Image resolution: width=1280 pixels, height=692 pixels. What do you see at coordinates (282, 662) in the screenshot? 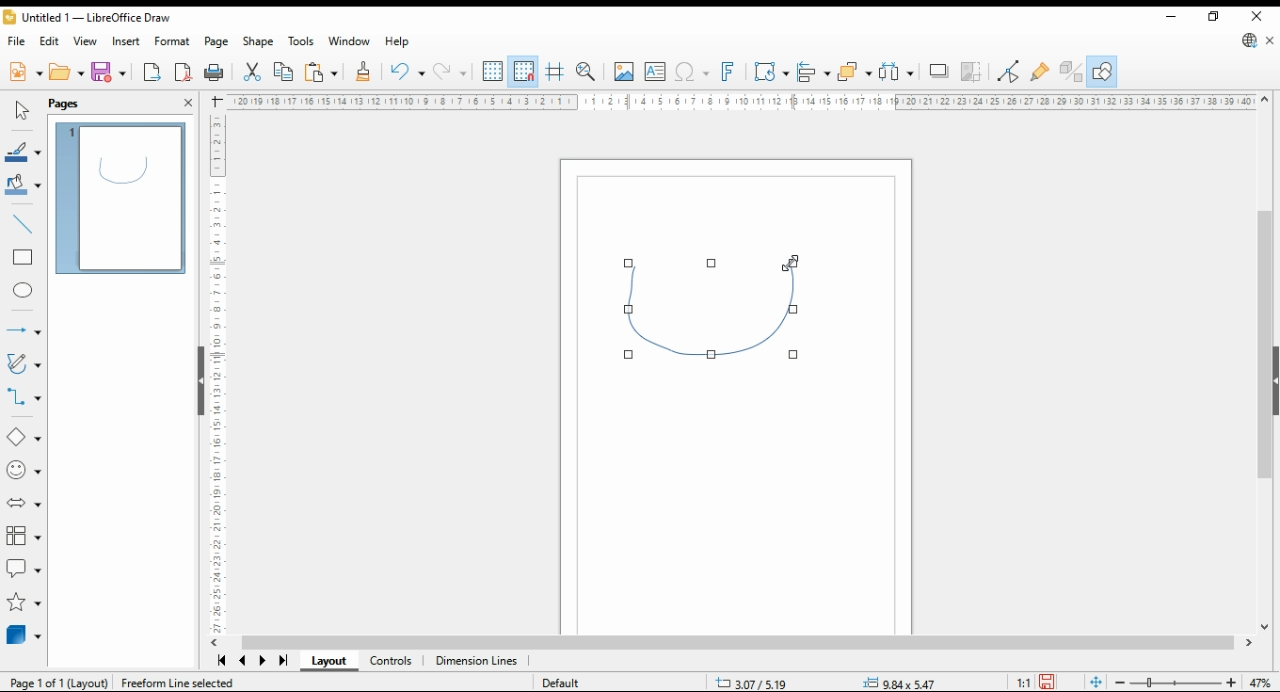
I see `last page` at bounding box center [282, 662].